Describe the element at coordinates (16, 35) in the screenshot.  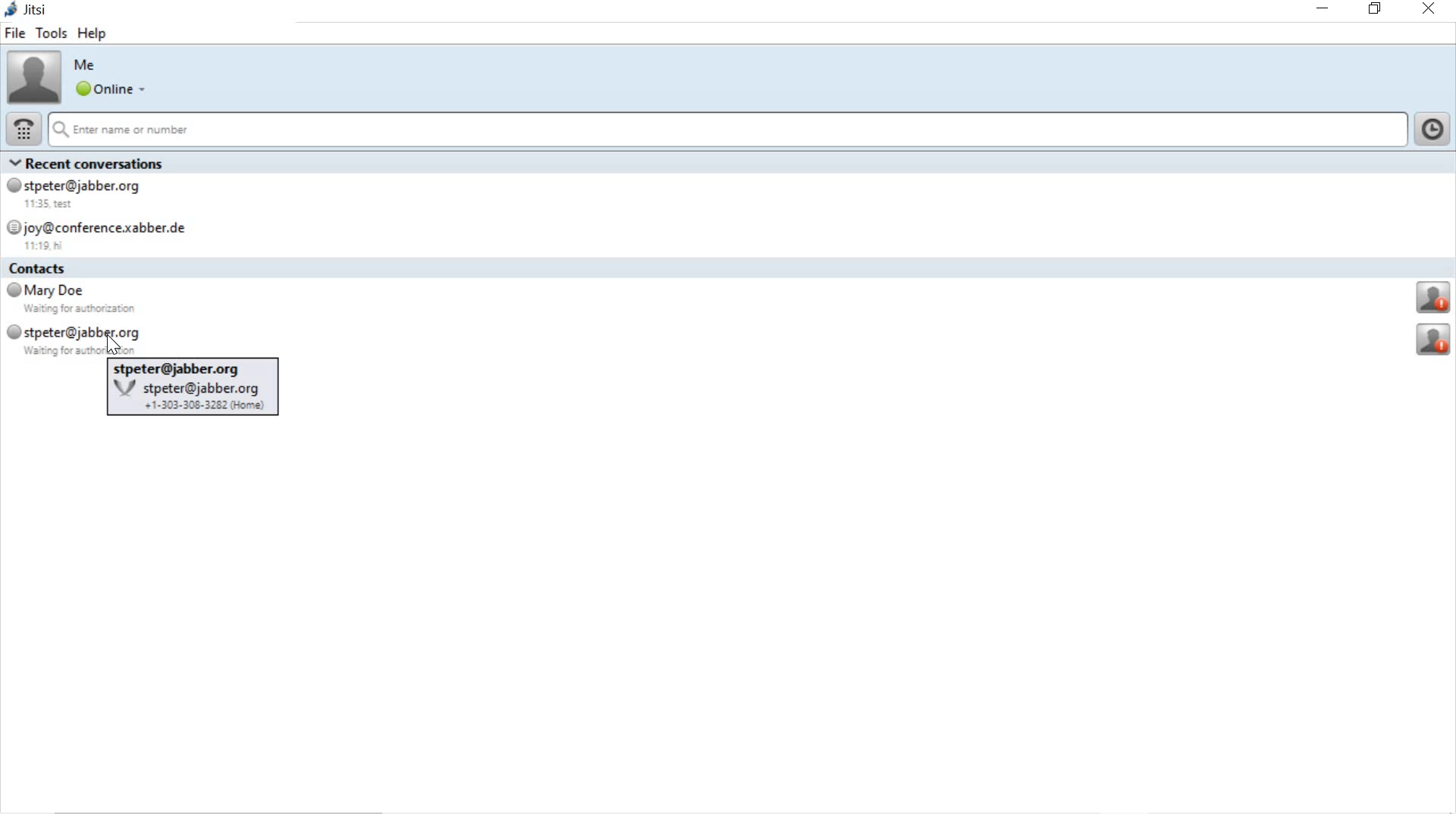
I see `file` at that location.